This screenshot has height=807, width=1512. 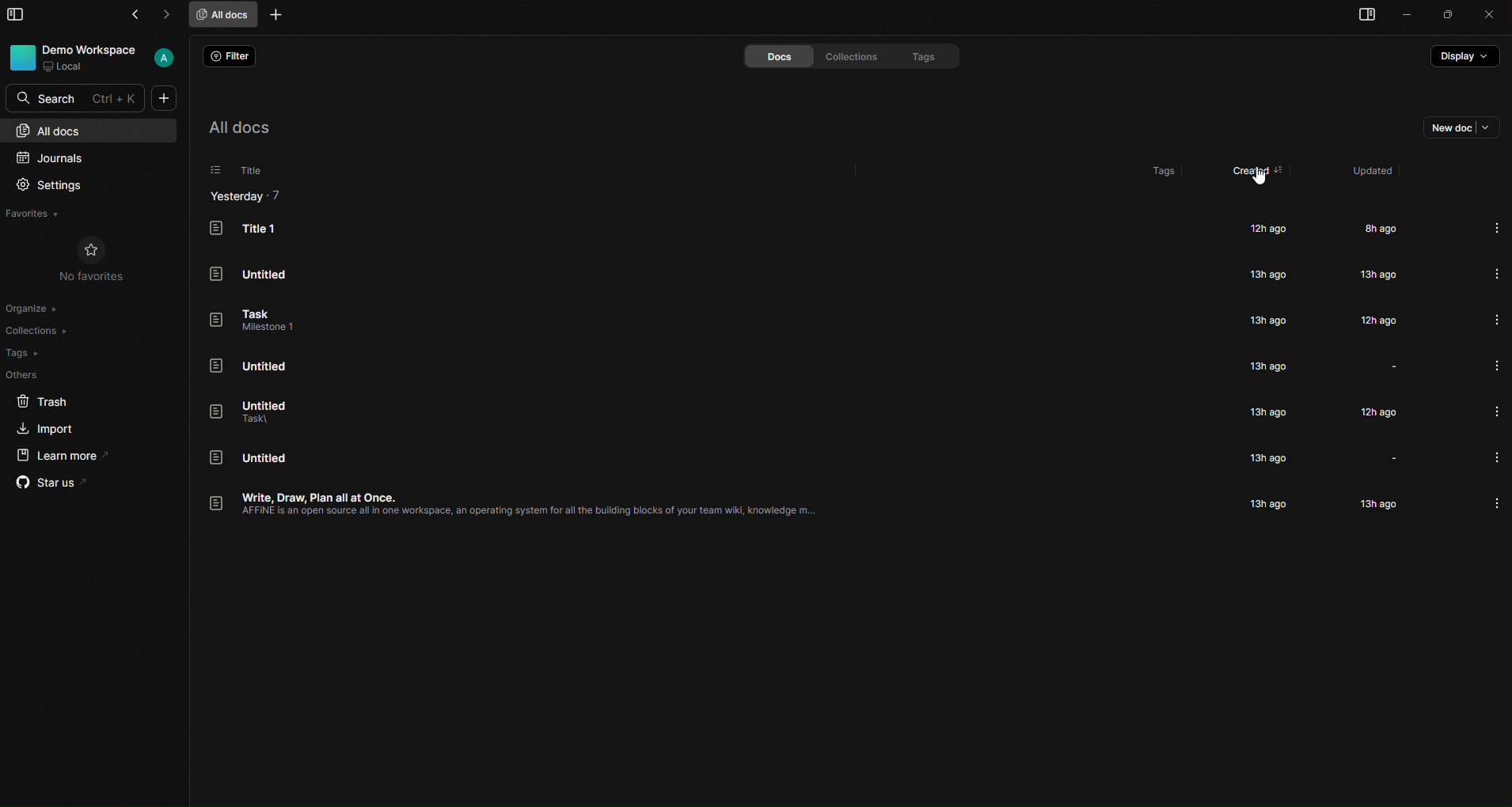 I want to click on others, so click(x=25, y=376).